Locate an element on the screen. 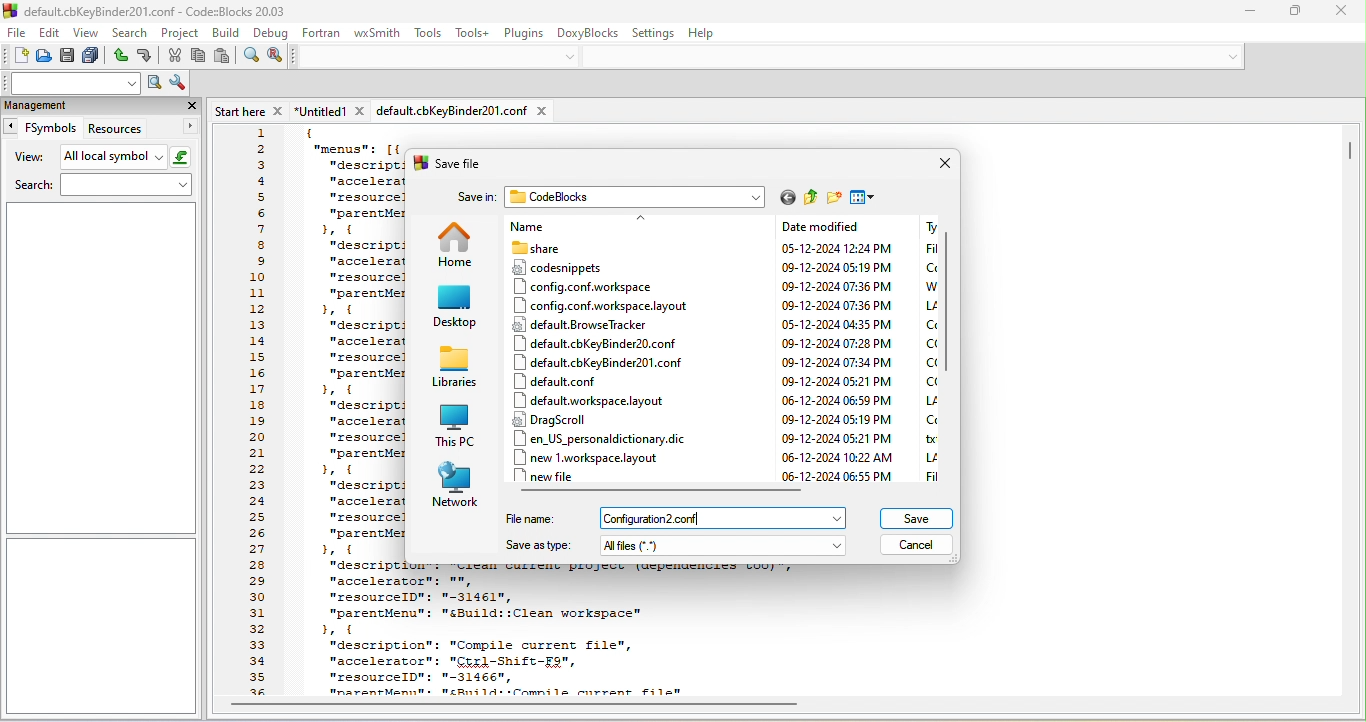  plugins is located at coordinates (525, 34).